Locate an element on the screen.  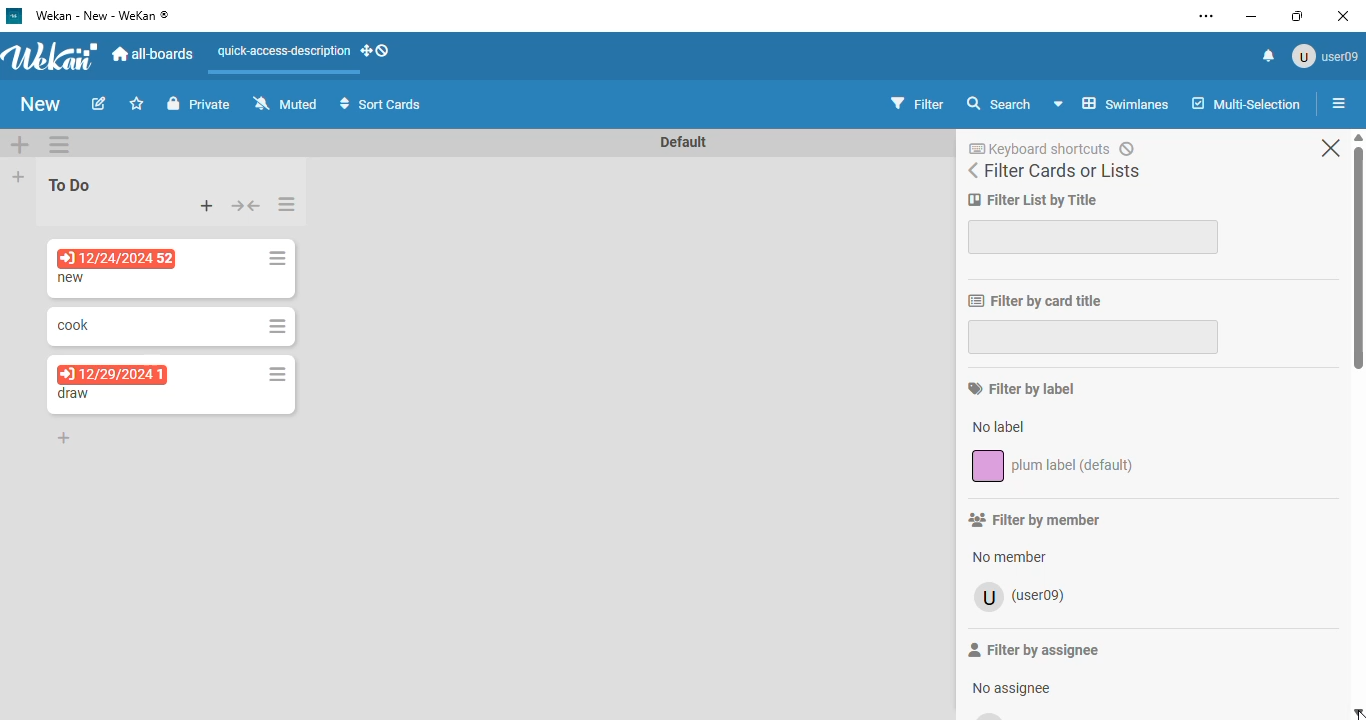
swimlane actions is located at coordinates (58, 144).